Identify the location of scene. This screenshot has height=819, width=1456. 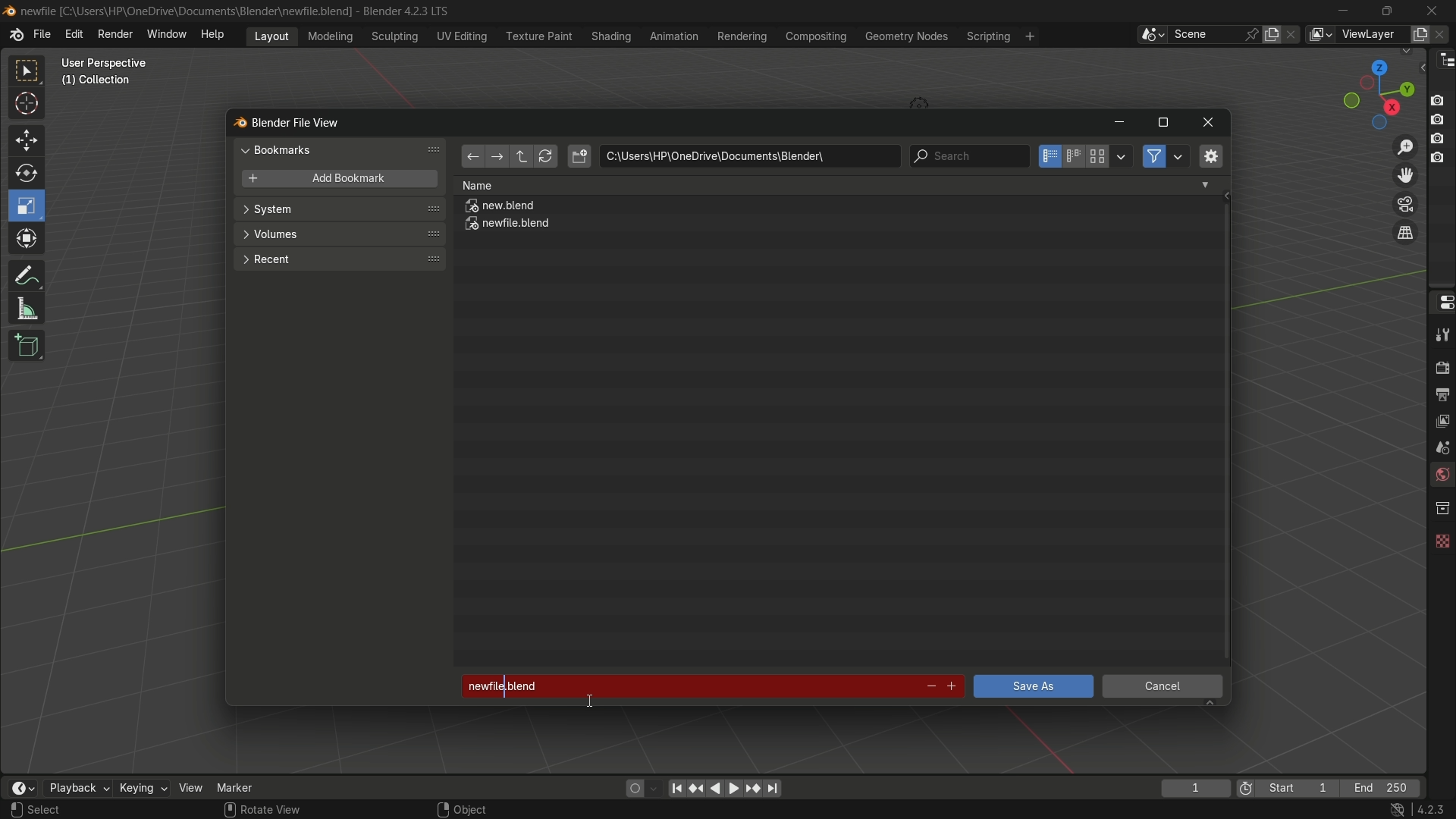
(1439, 447).